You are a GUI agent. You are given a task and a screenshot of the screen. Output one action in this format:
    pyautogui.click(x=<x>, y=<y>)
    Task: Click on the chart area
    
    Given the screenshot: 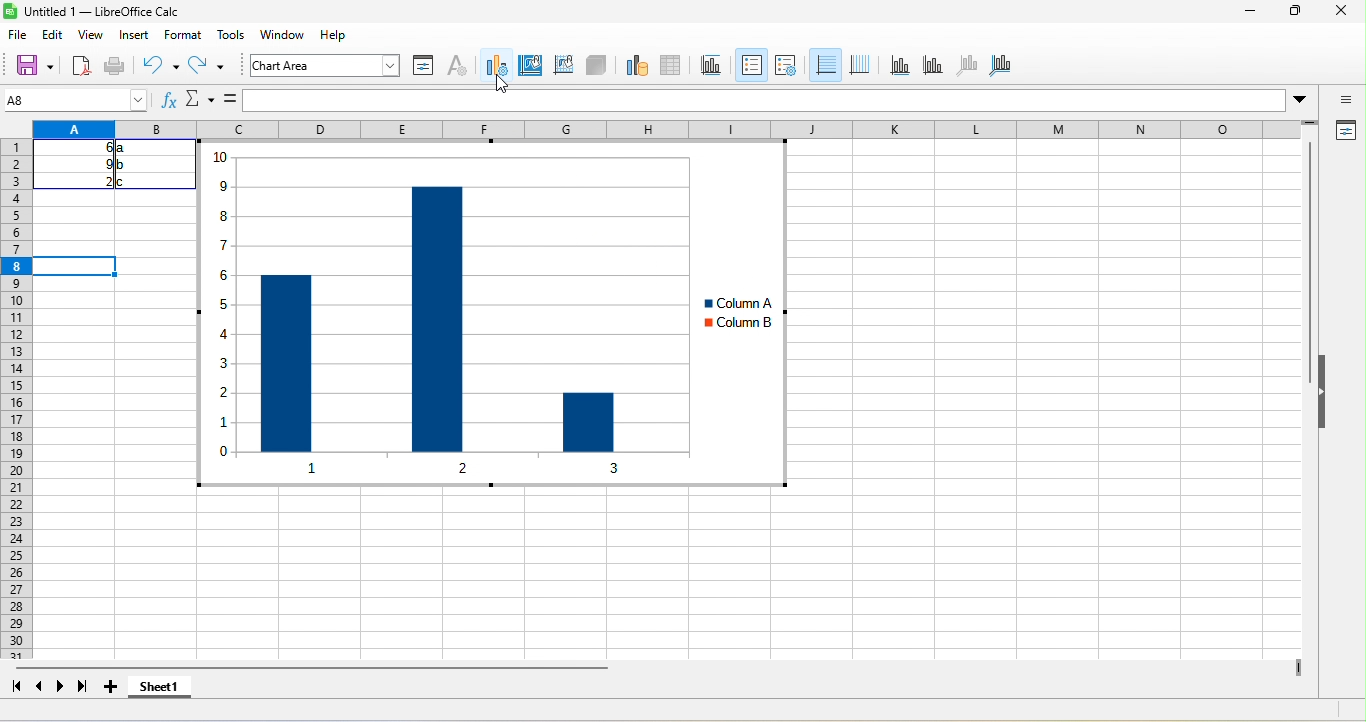 What is the action you would take?
    pyautogui.click(x=326, y=66)
    